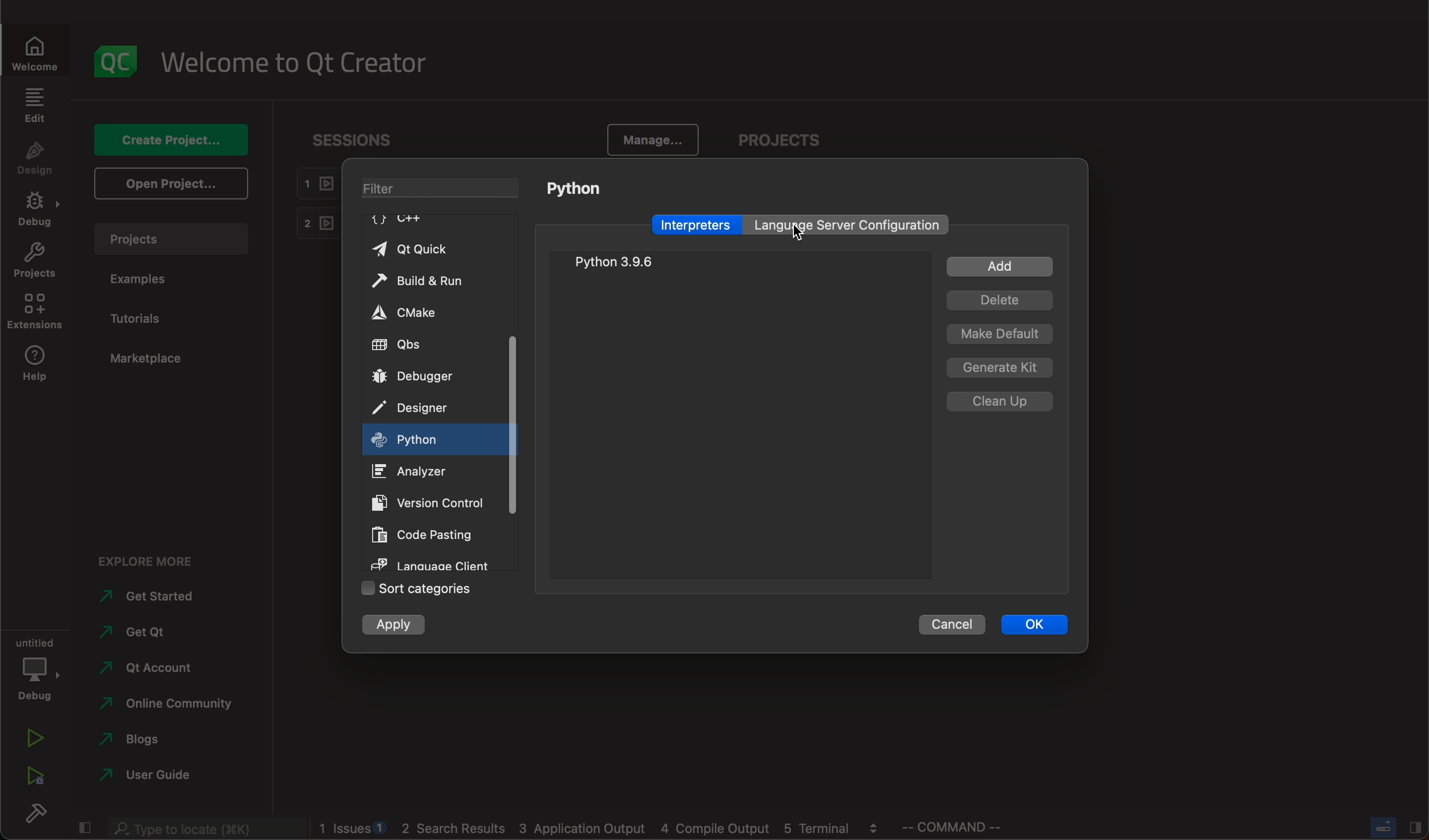  I want to click on open, so click(174, 184).